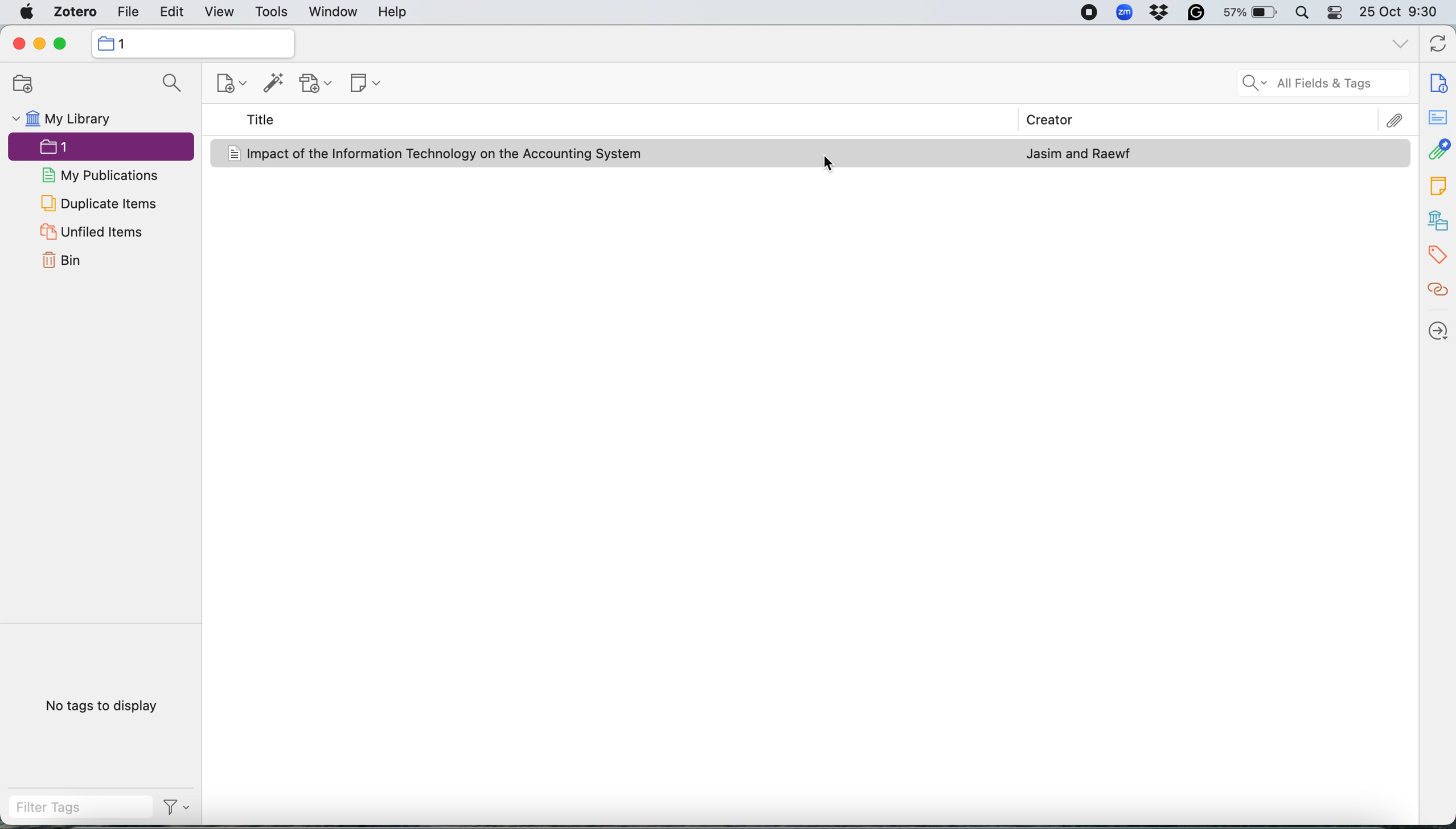 The height and width of the screenshot is (829, 1456). What do you see at coordinates (1162, 14) in the screenshot?
I see `dropbox` at bounding box center [1162, 14].